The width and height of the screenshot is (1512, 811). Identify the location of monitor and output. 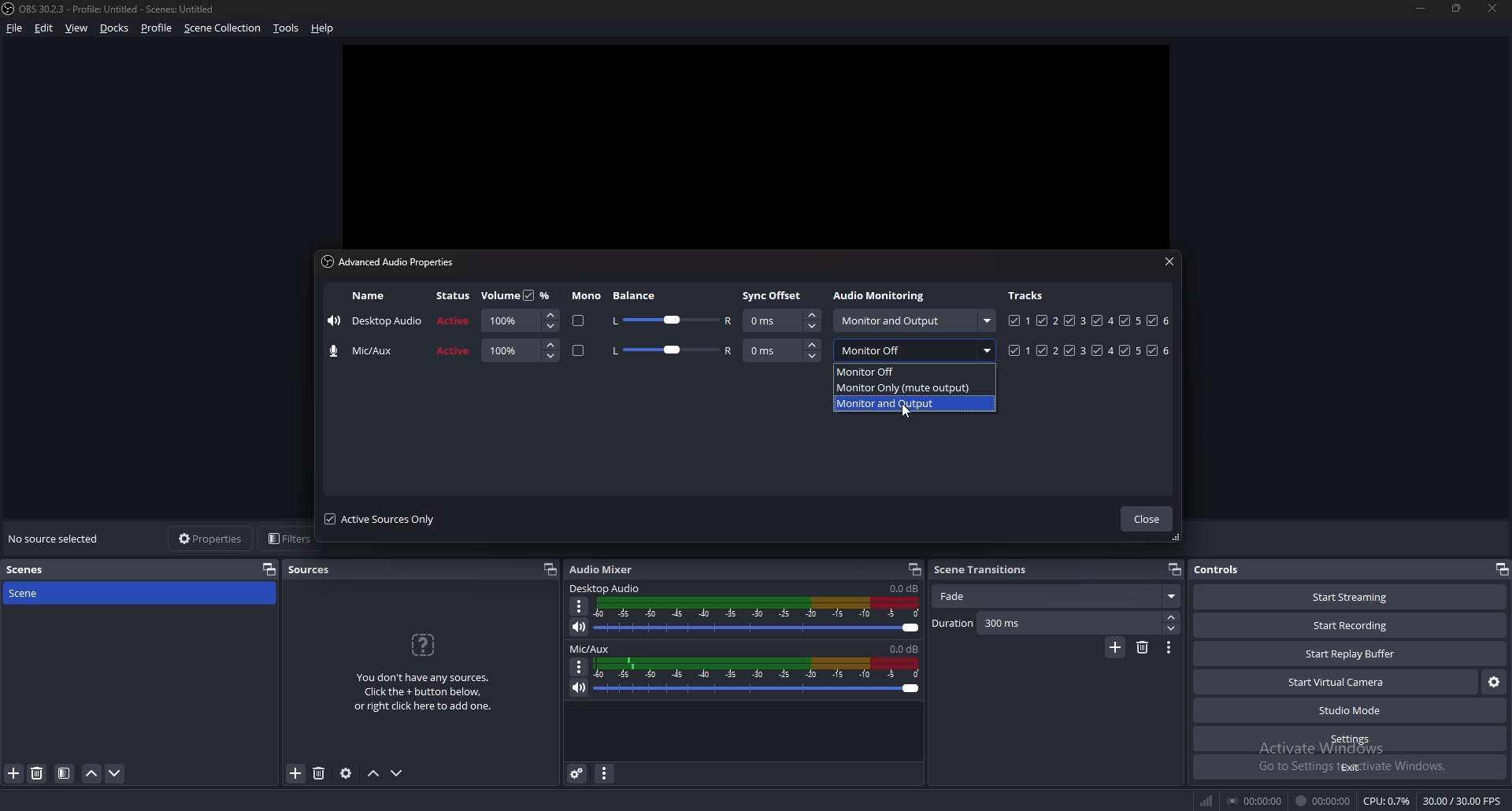
(916, 320).